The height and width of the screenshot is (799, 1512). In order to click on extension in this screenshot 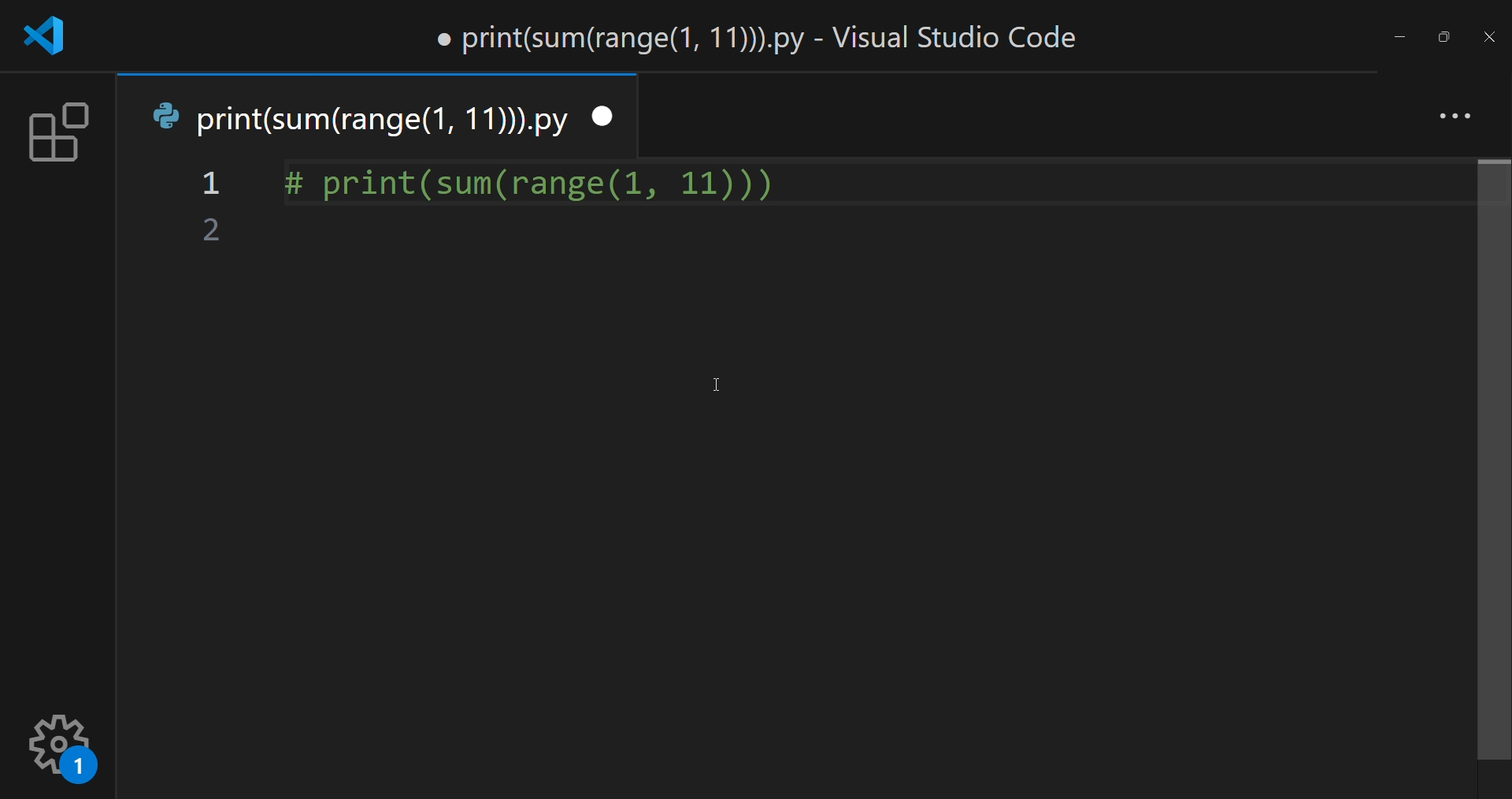, I will do `click(54, 135)`.